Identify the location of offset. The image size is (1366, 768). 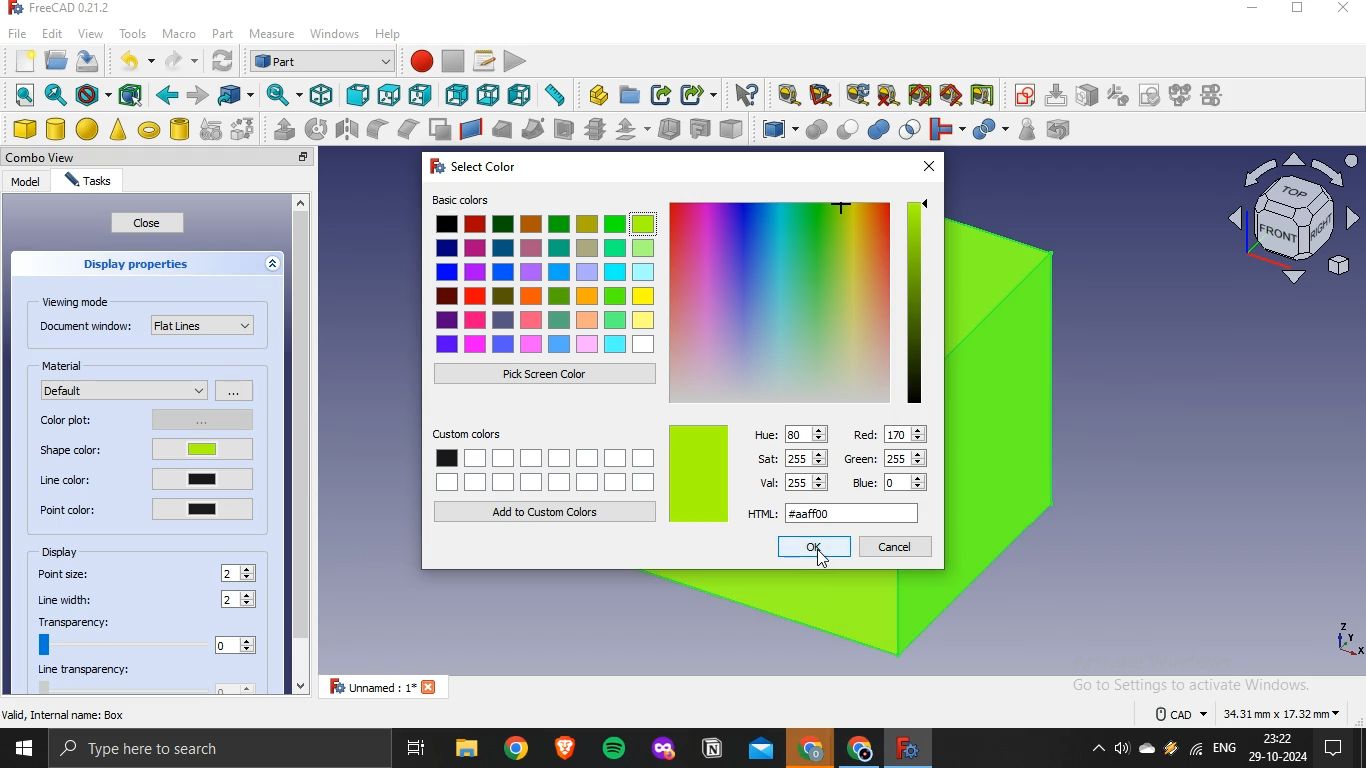
(631, 129).